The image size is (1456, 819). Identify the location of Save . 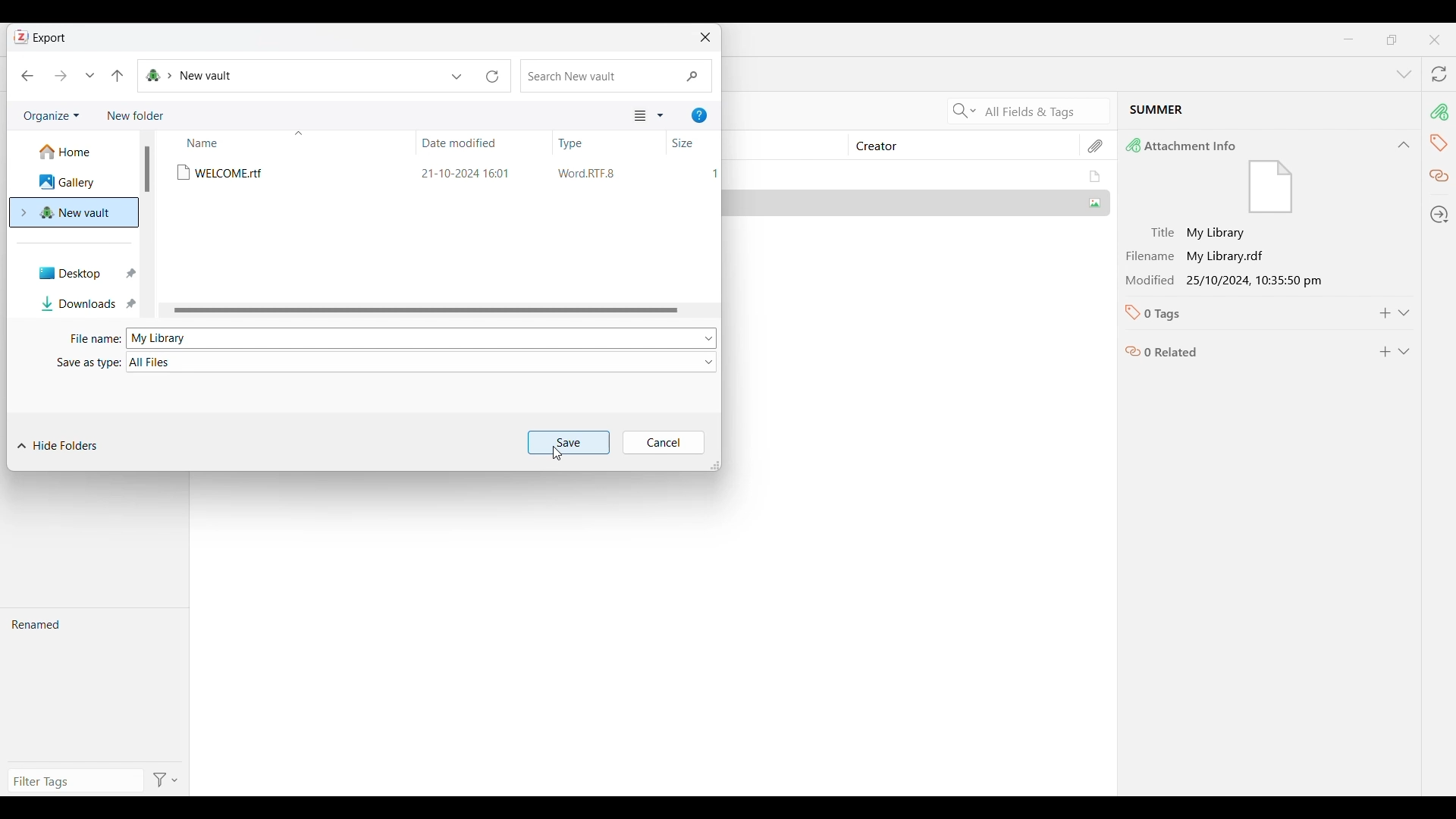
(569, 443).